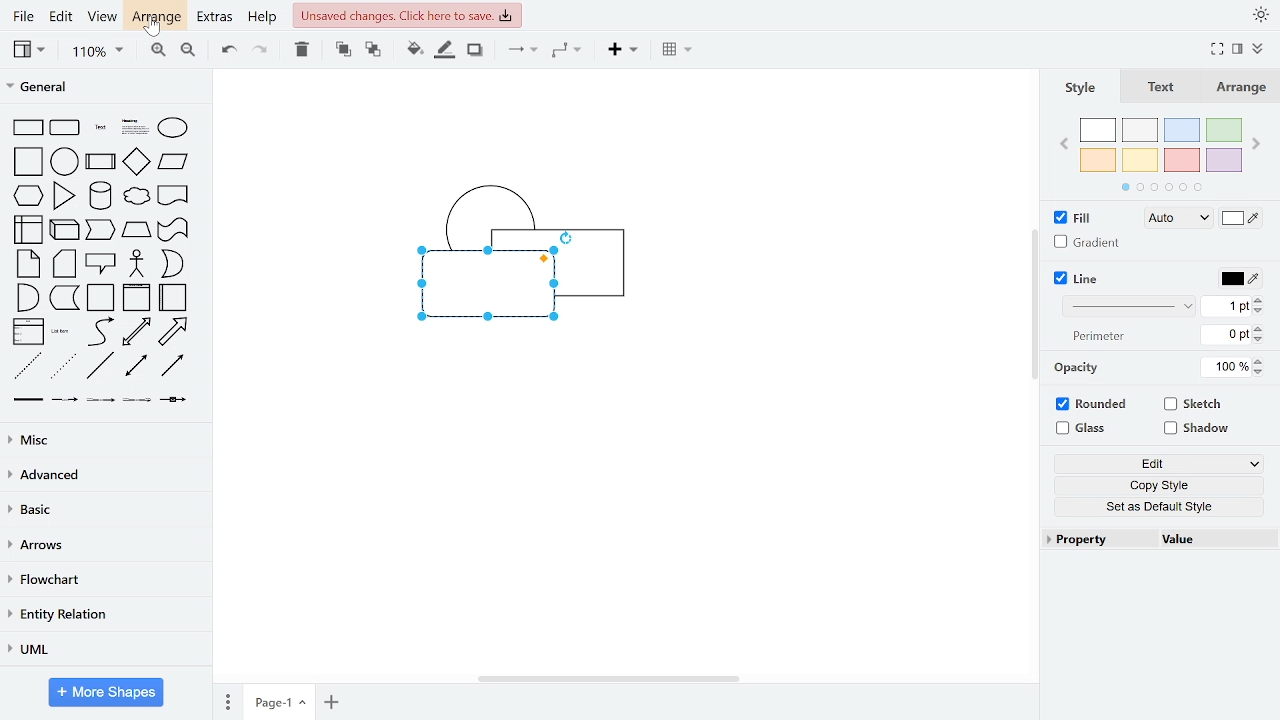 The width and height of the screenshot is (1280, 720). I want to click on dashed line, so click(27, 366).